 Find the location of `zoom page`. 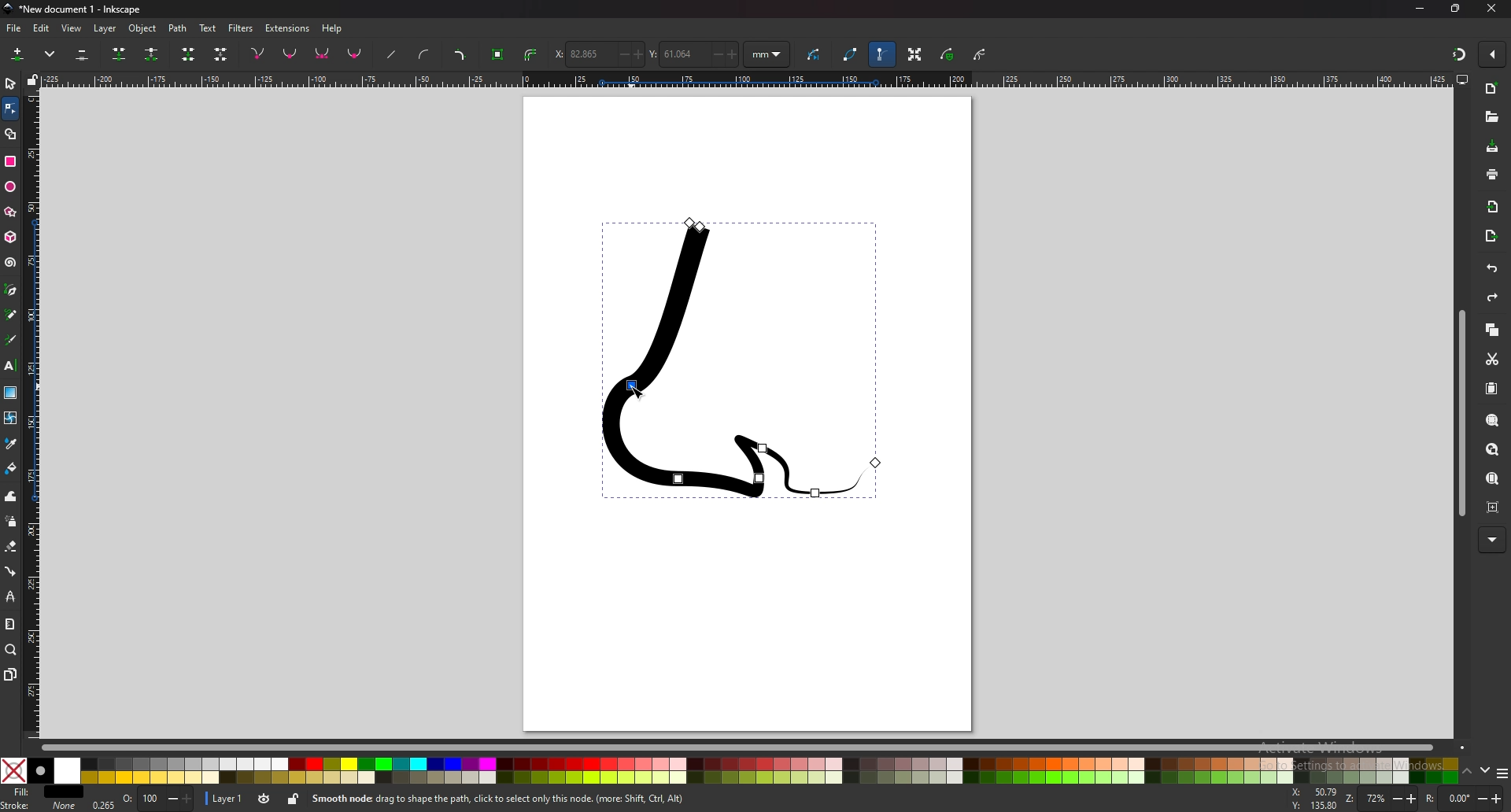

zoom page is located at coordinates (1492, 478).